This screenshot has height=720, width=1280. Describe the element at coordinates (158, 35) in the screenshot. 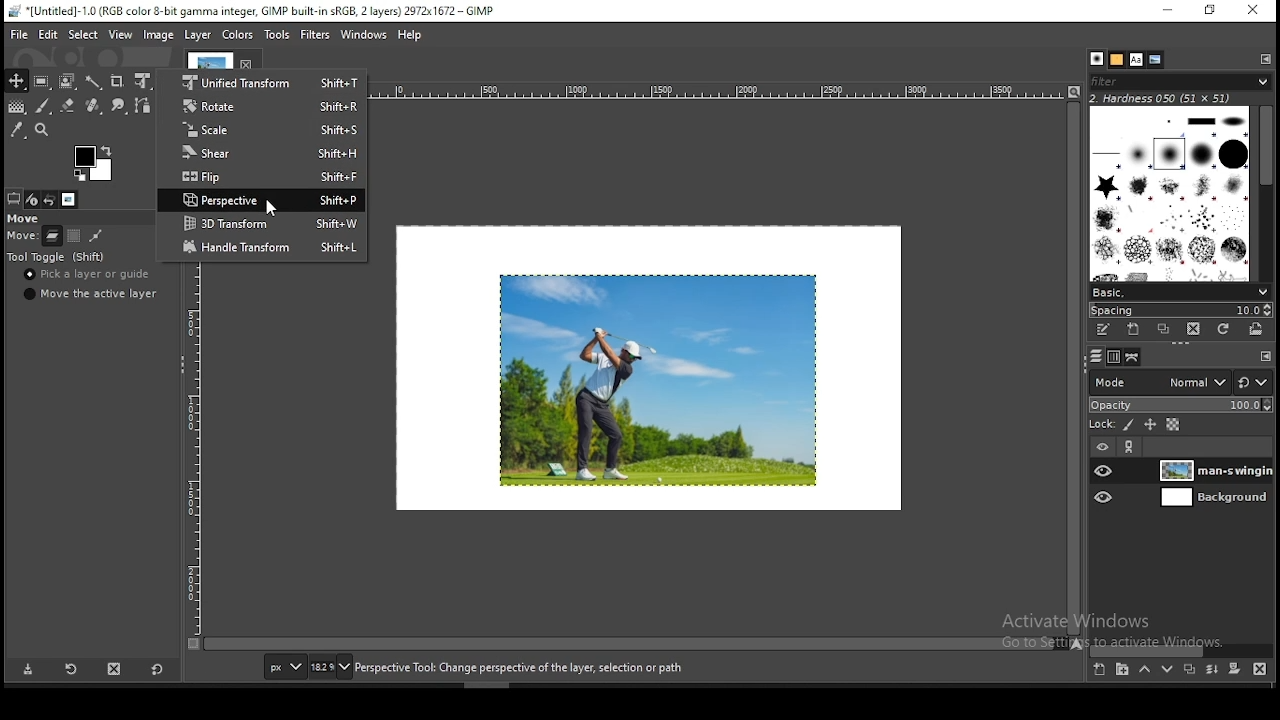

I see `image` at that location.